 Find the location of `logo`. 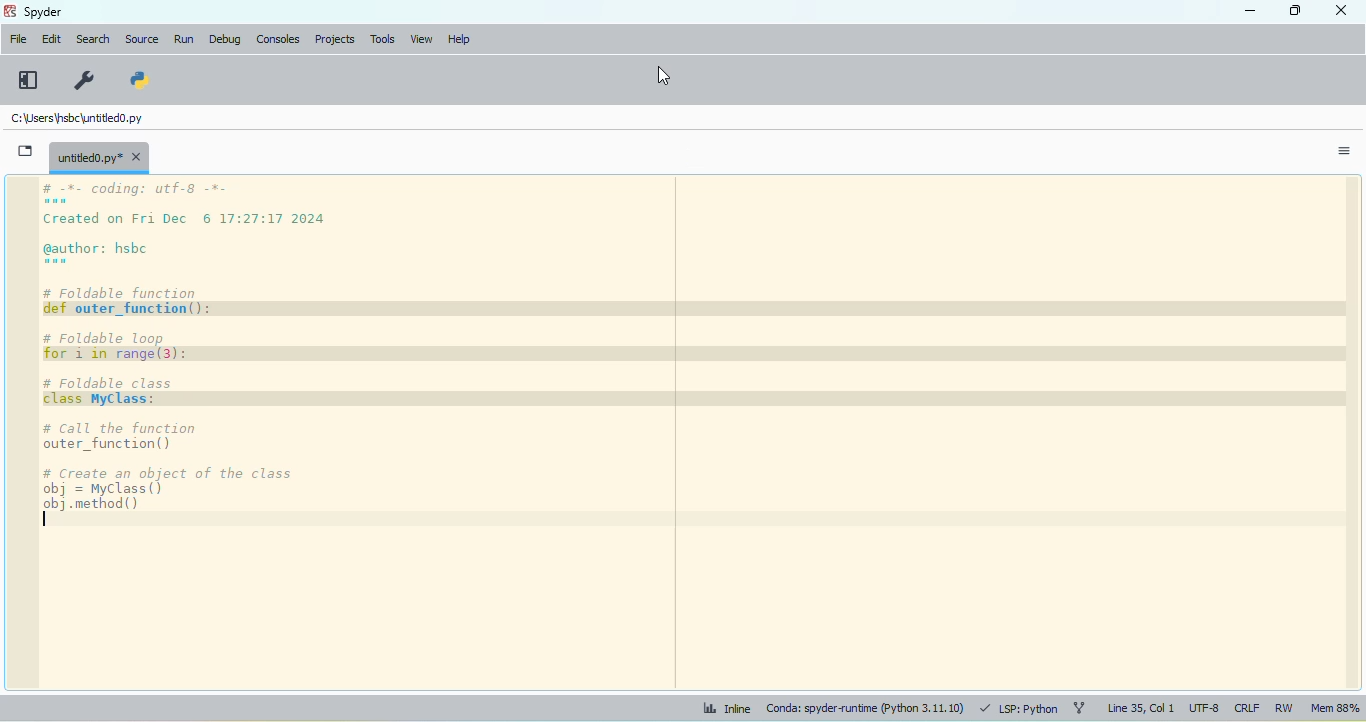

logo is located at coordinates (10, 11).